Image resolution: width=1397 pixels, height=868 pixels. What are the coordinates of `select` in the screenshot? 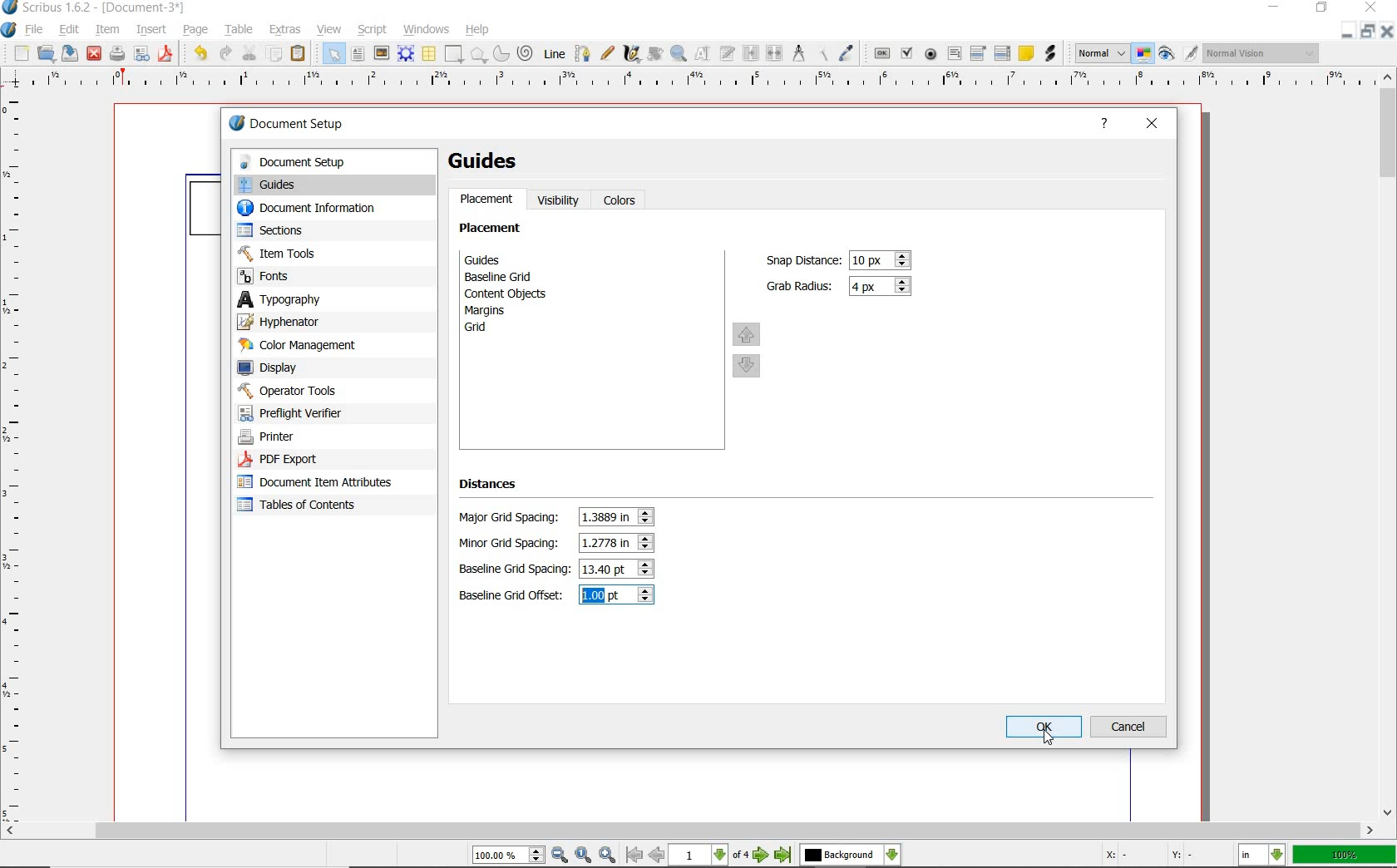 It's located at (335, 57).